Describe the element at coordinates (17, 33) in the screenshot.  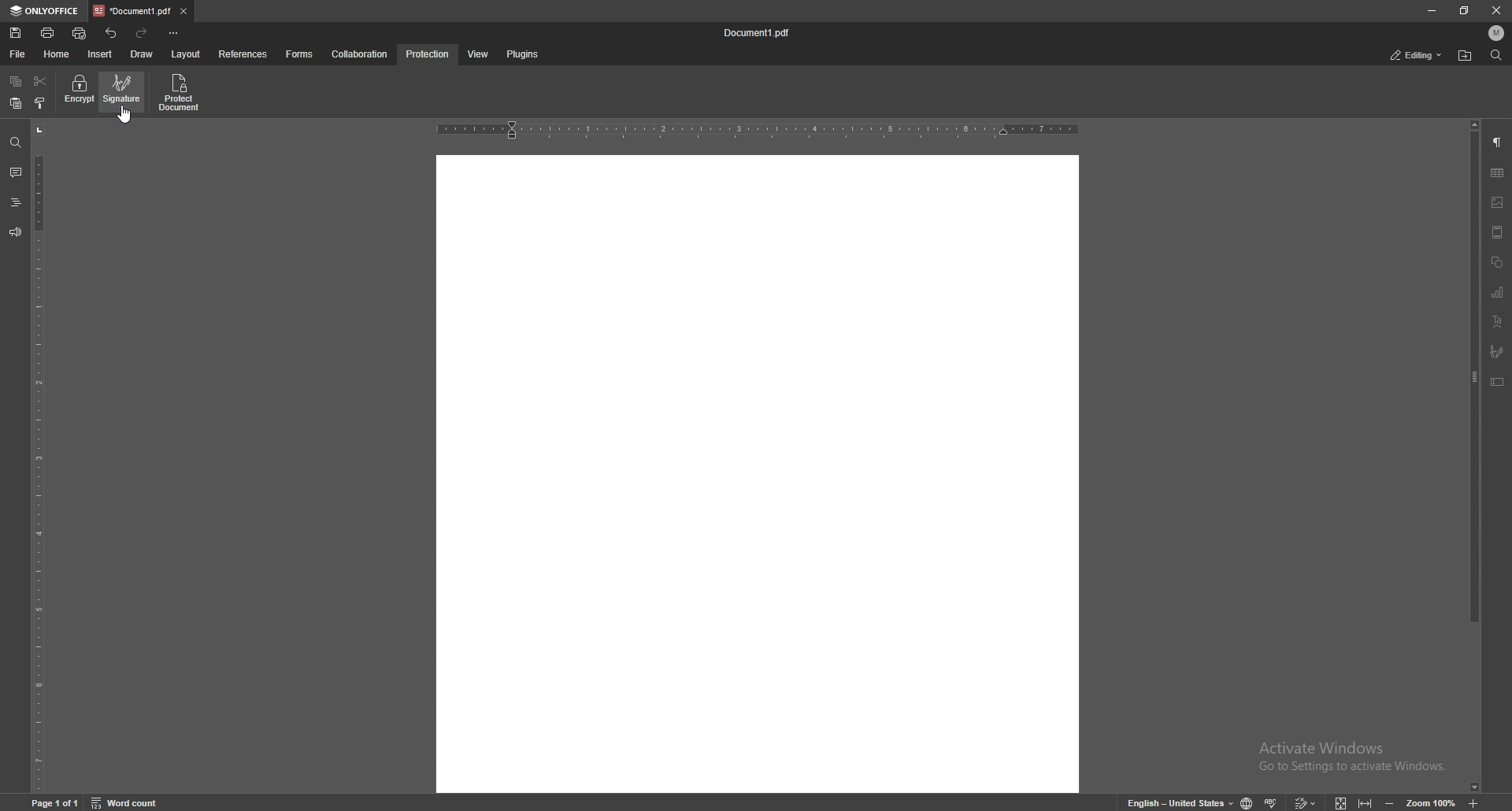
I see `save` at that location.